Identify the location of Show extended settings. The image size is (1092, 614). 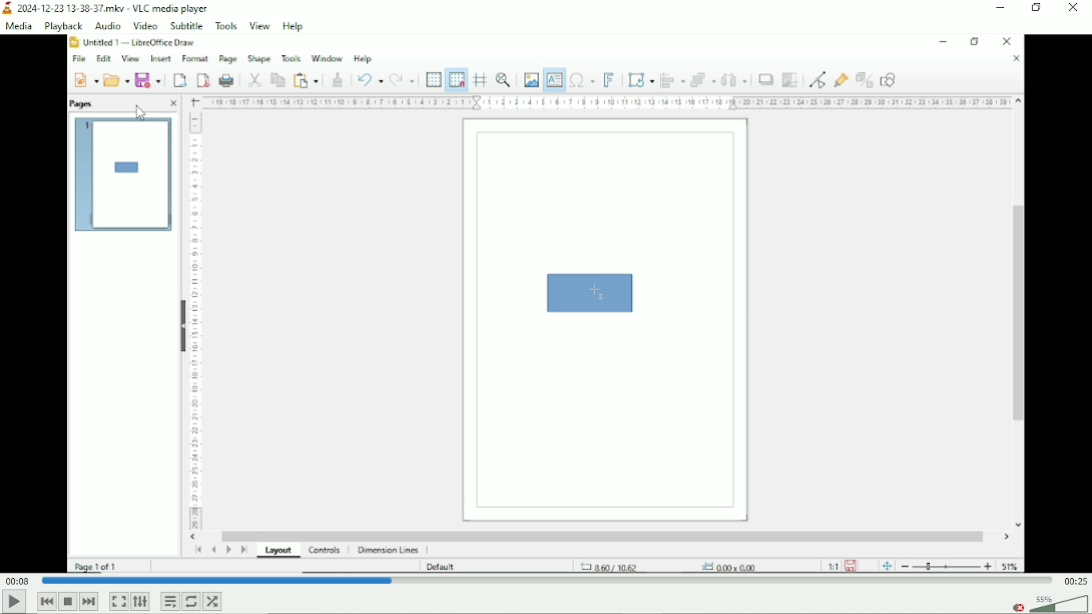
(141, 602).